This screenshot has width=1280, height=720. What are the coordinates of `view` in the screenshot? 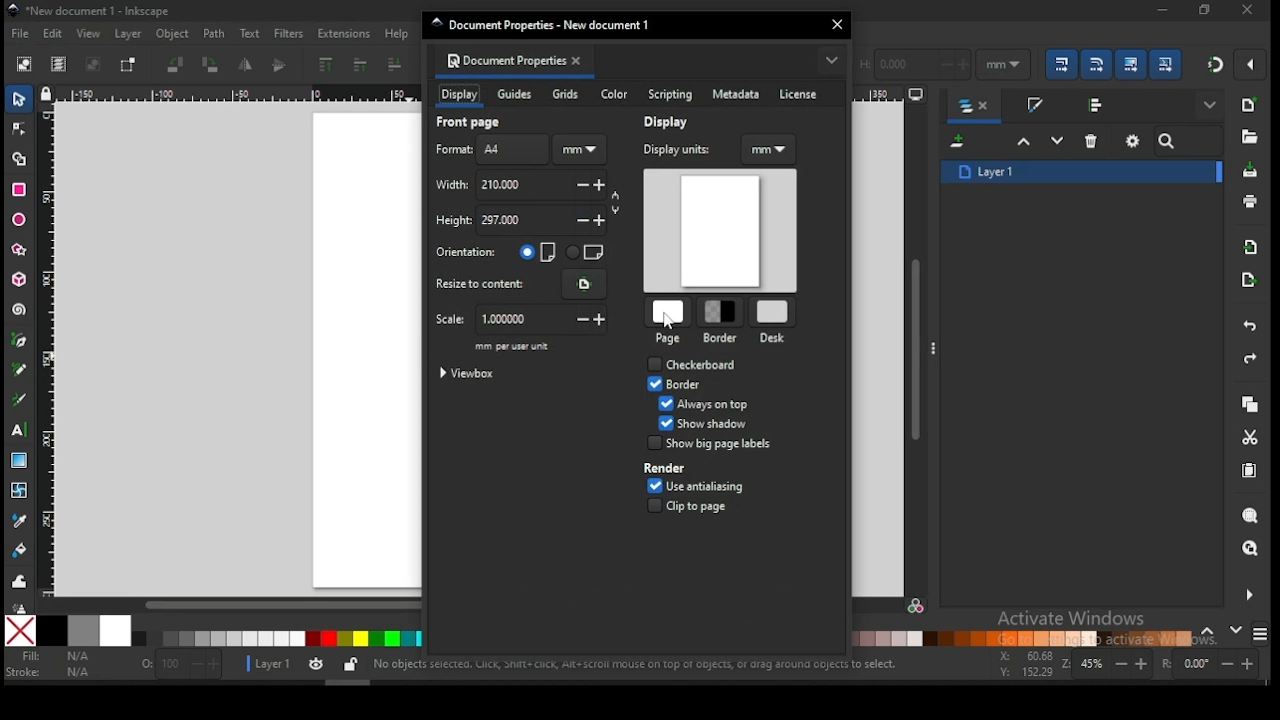 It's located at (91, 34).